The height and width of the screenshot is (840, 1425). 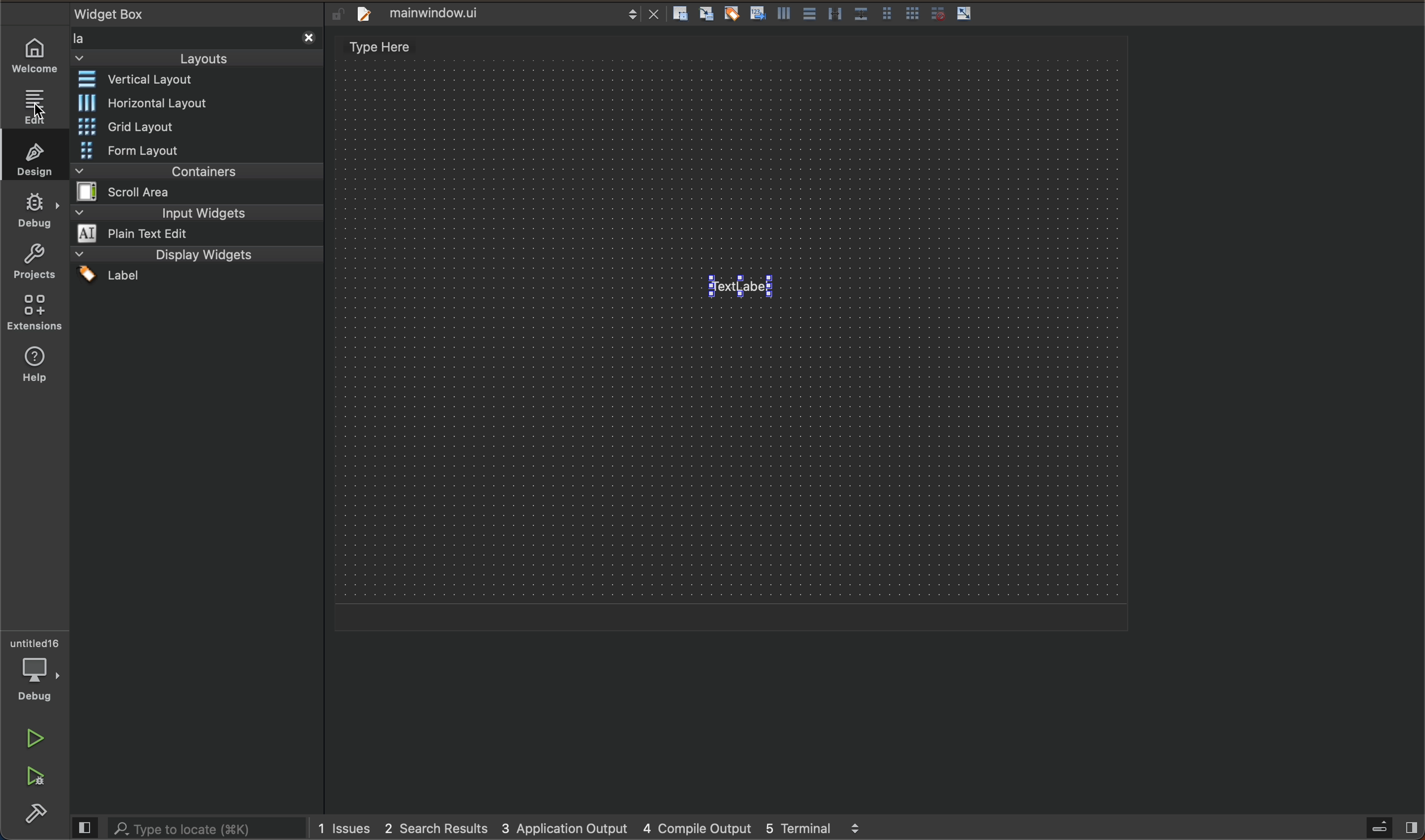 What do you see at coordinates (32, 209) in the screenshot?
I see `debug` at bounding box center [32, 209].